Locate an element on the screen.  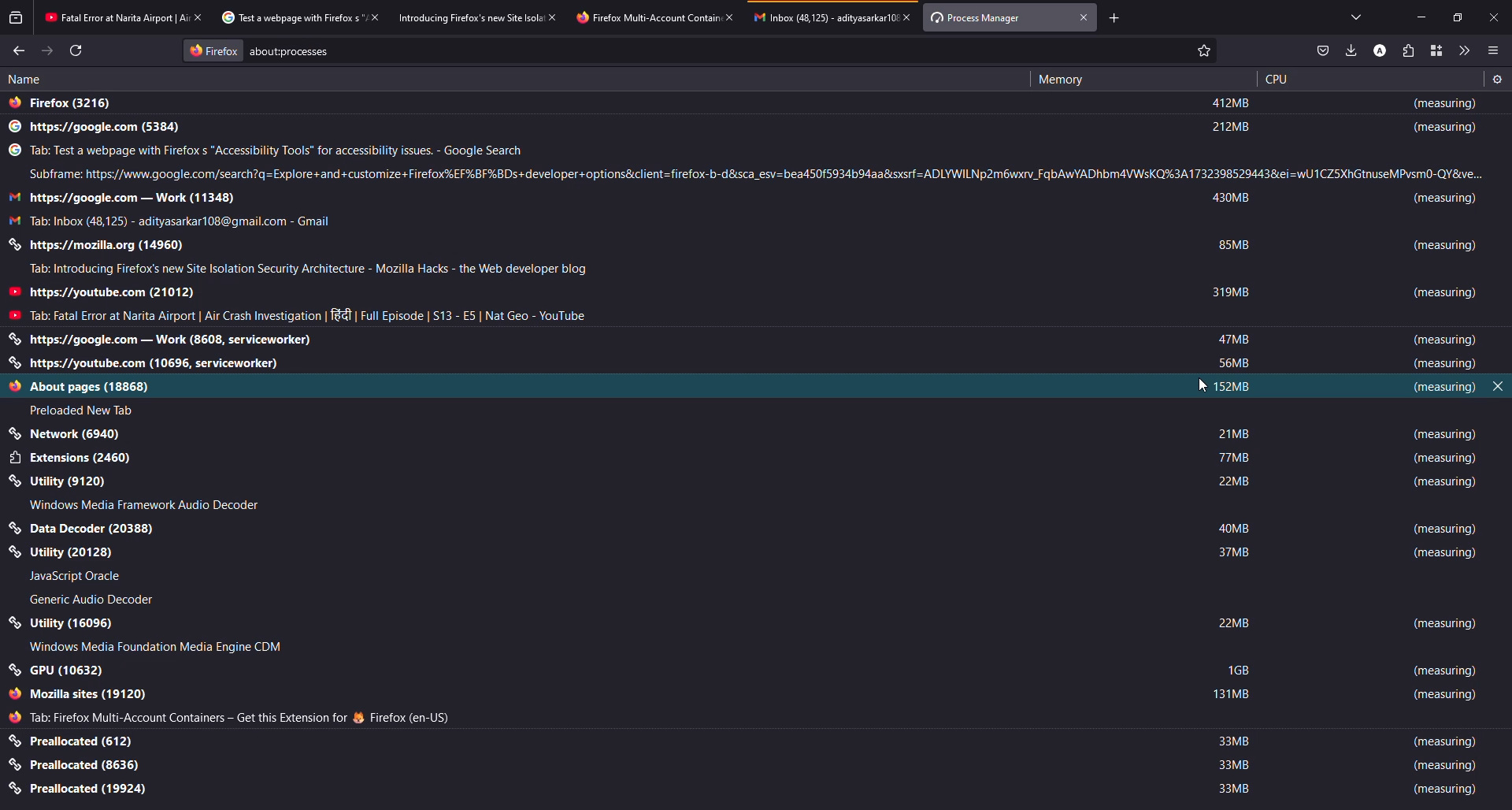
319 mb is located at coordinates (1232, 294).